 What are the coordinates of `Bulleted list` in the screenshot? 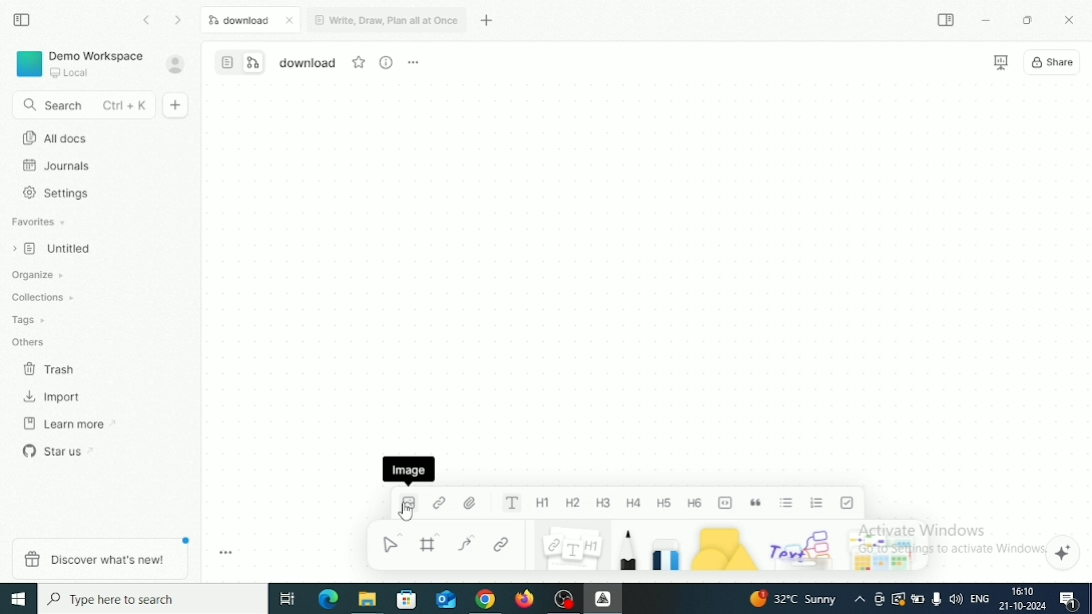 It's located at (787, 503).